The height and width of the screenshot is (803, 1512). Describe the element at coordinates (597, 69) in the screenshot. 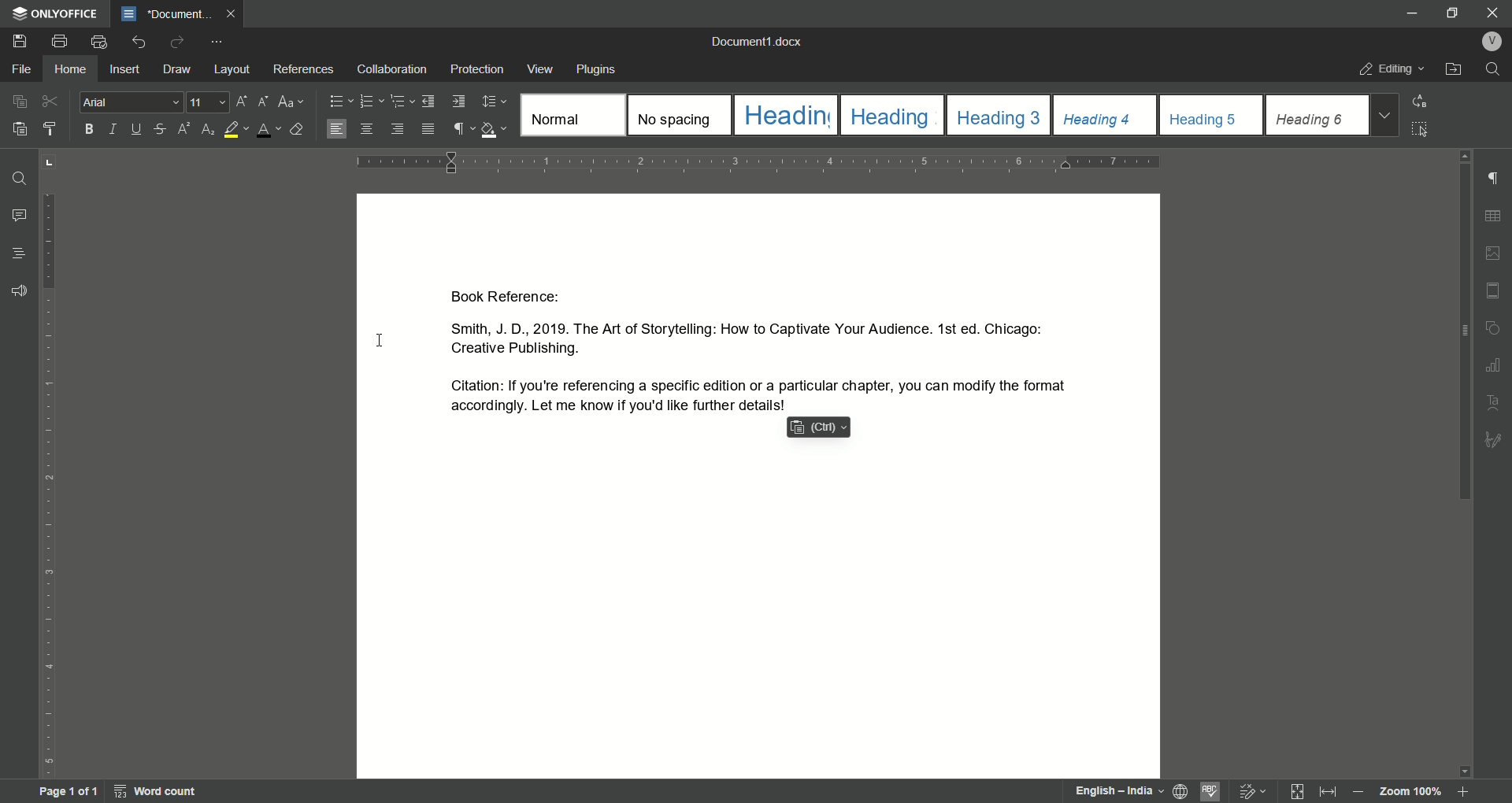

I see `plugins` at that location.